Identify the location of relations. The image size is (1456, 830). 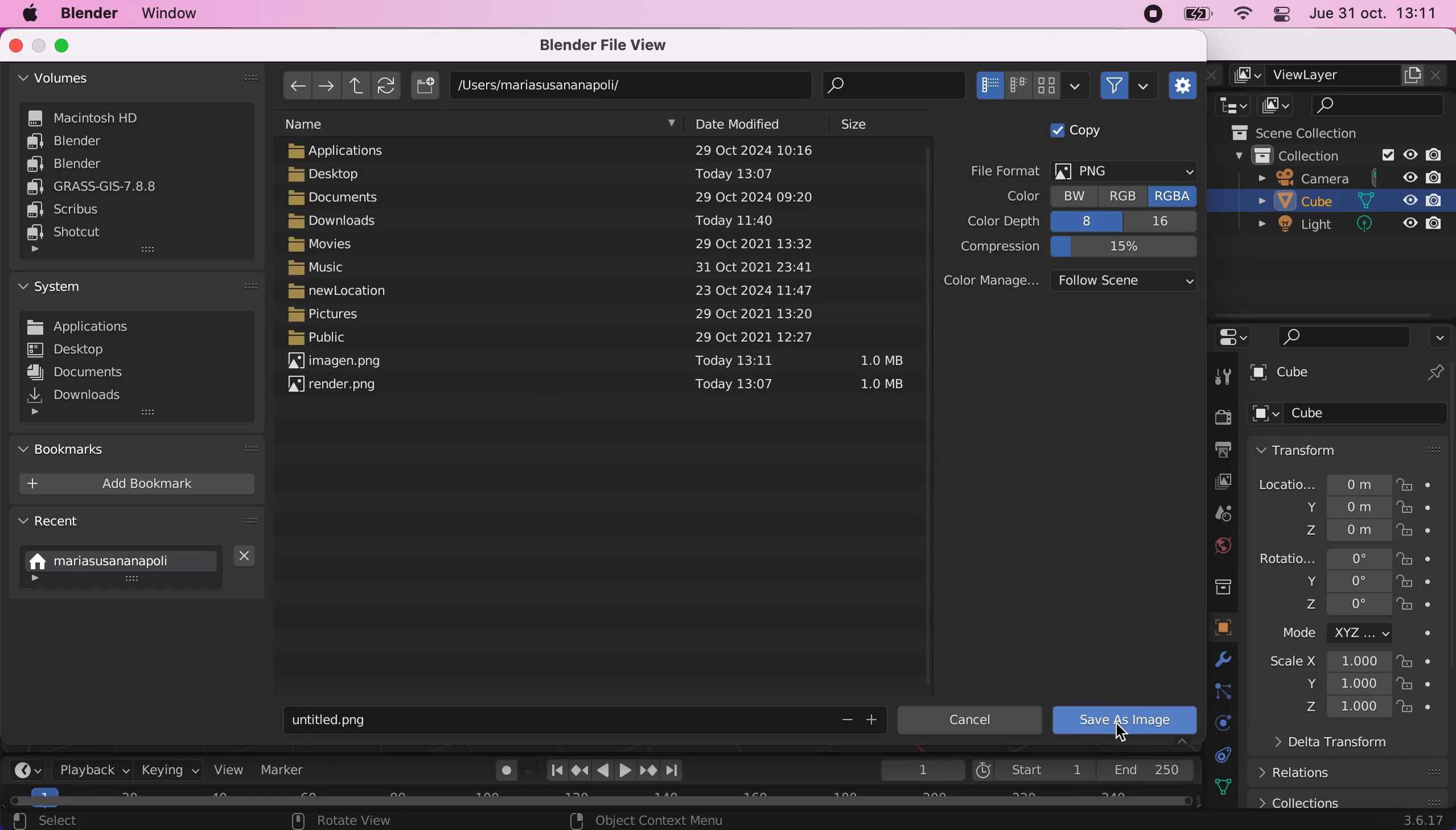
(1302, 773).